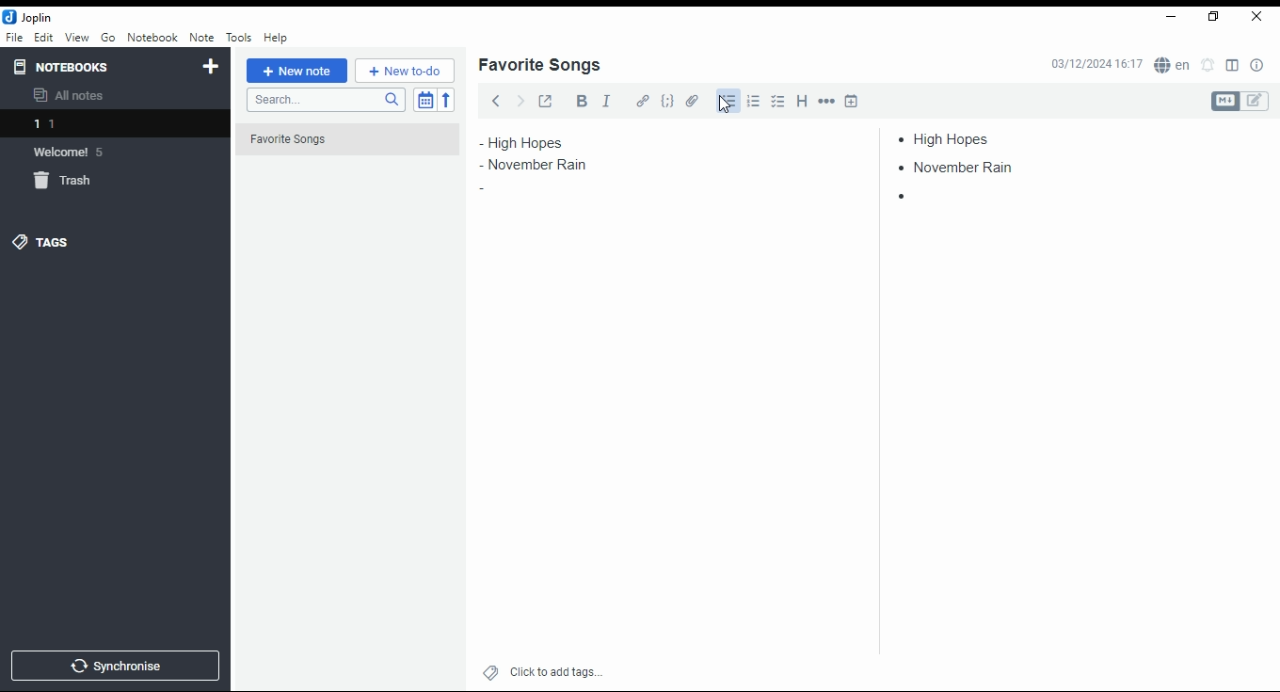 The image size is (1280, 692). I want to click on notebooks, so click(97, 66).